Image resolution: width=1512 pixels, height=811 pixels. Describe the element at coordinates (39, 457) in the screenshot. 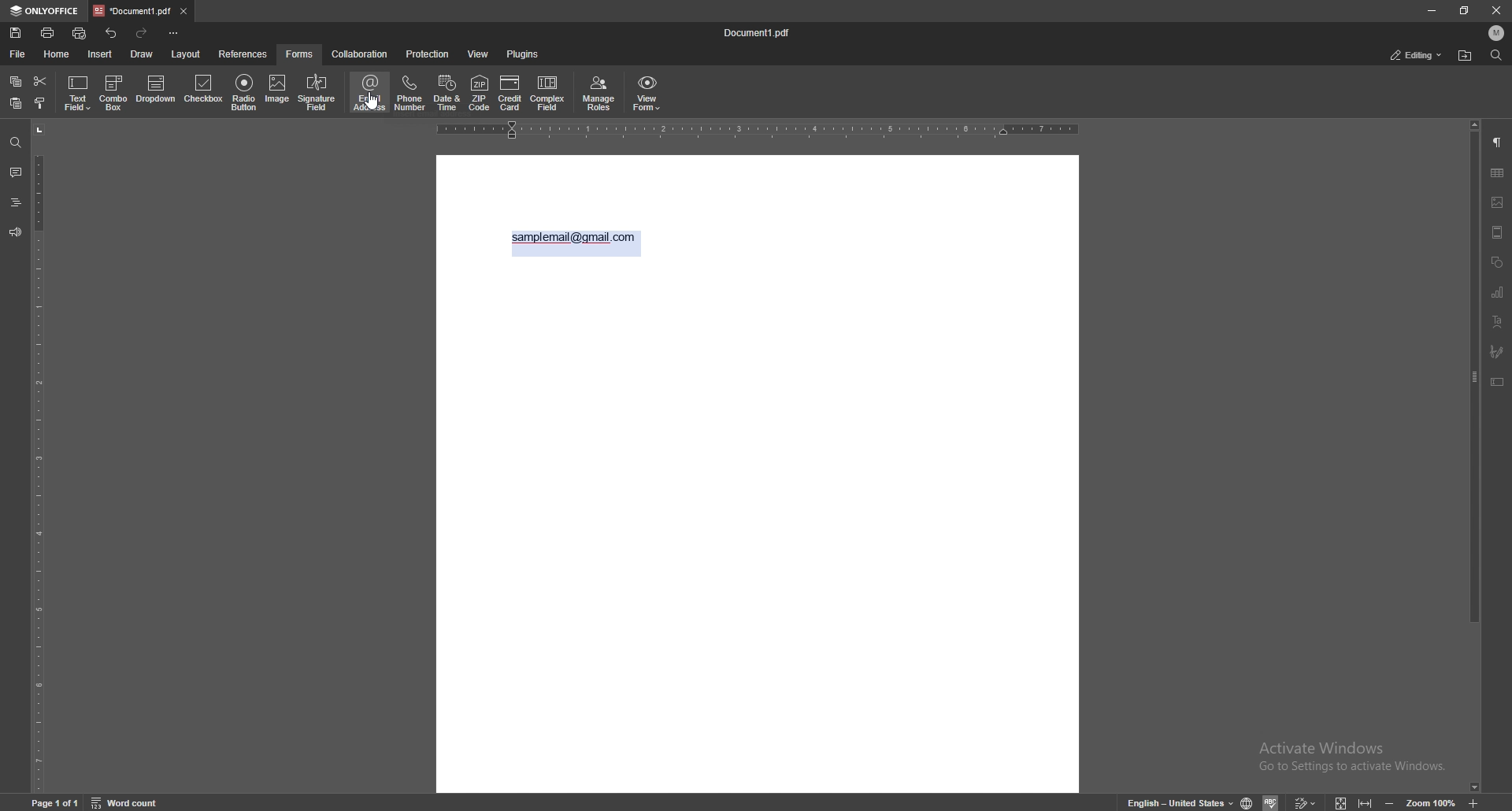

I see `vertical scale` at that location.